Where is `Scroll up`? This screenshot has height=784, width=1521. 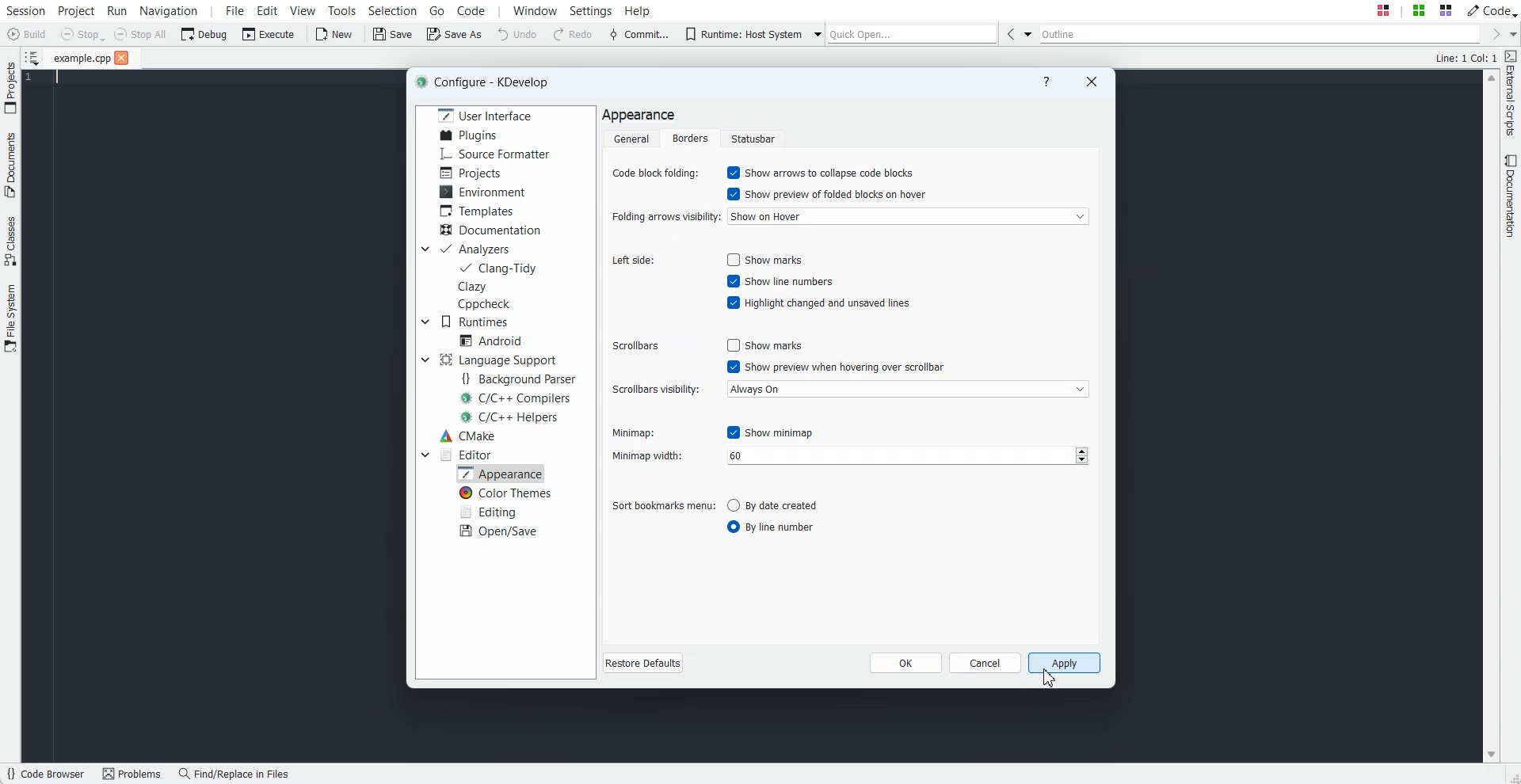
Scroll up is located at coordinates (1491, 78).